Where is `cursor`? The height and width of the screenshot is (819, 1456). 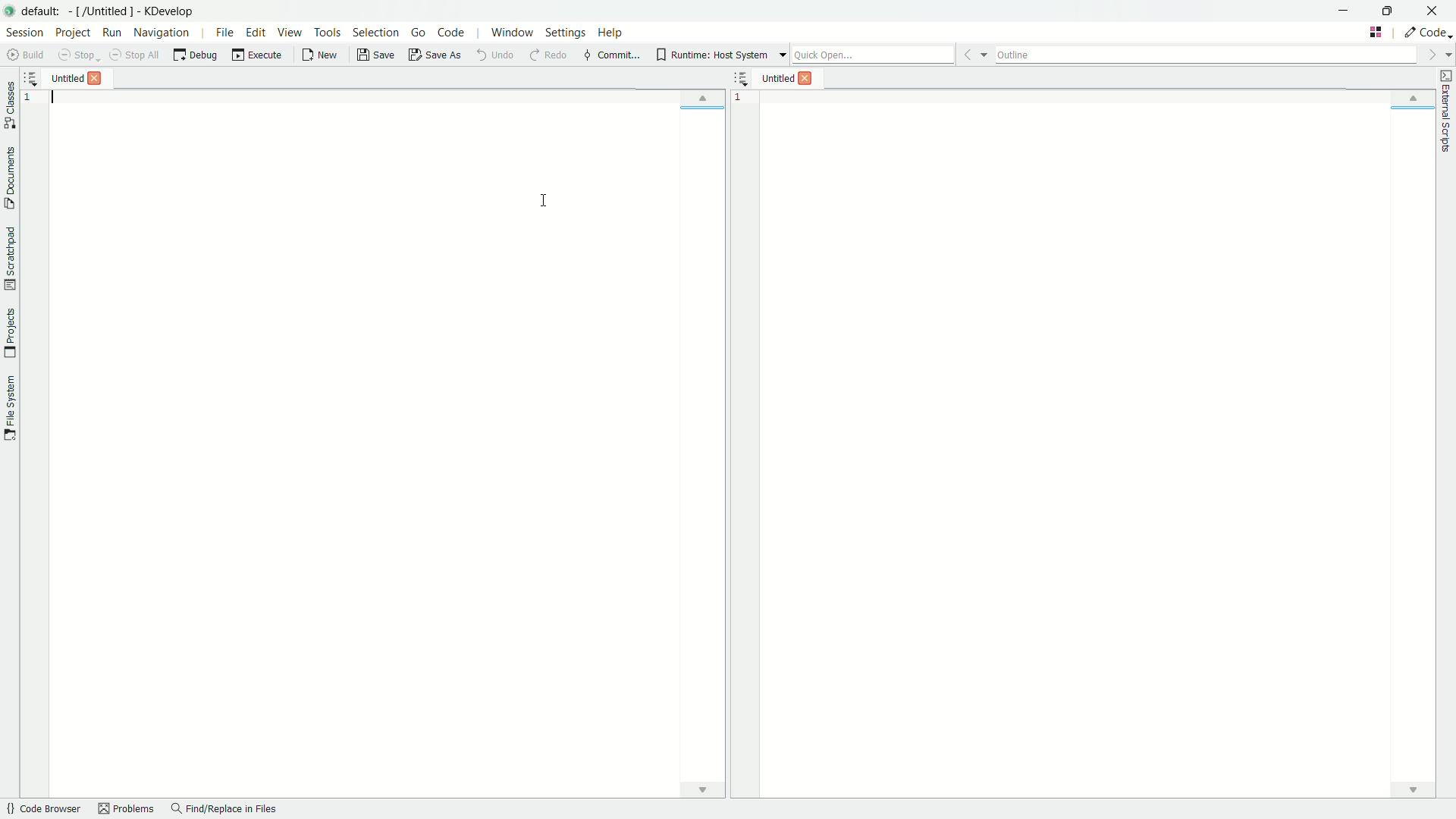 cursor is located at coordinates (547, 198).